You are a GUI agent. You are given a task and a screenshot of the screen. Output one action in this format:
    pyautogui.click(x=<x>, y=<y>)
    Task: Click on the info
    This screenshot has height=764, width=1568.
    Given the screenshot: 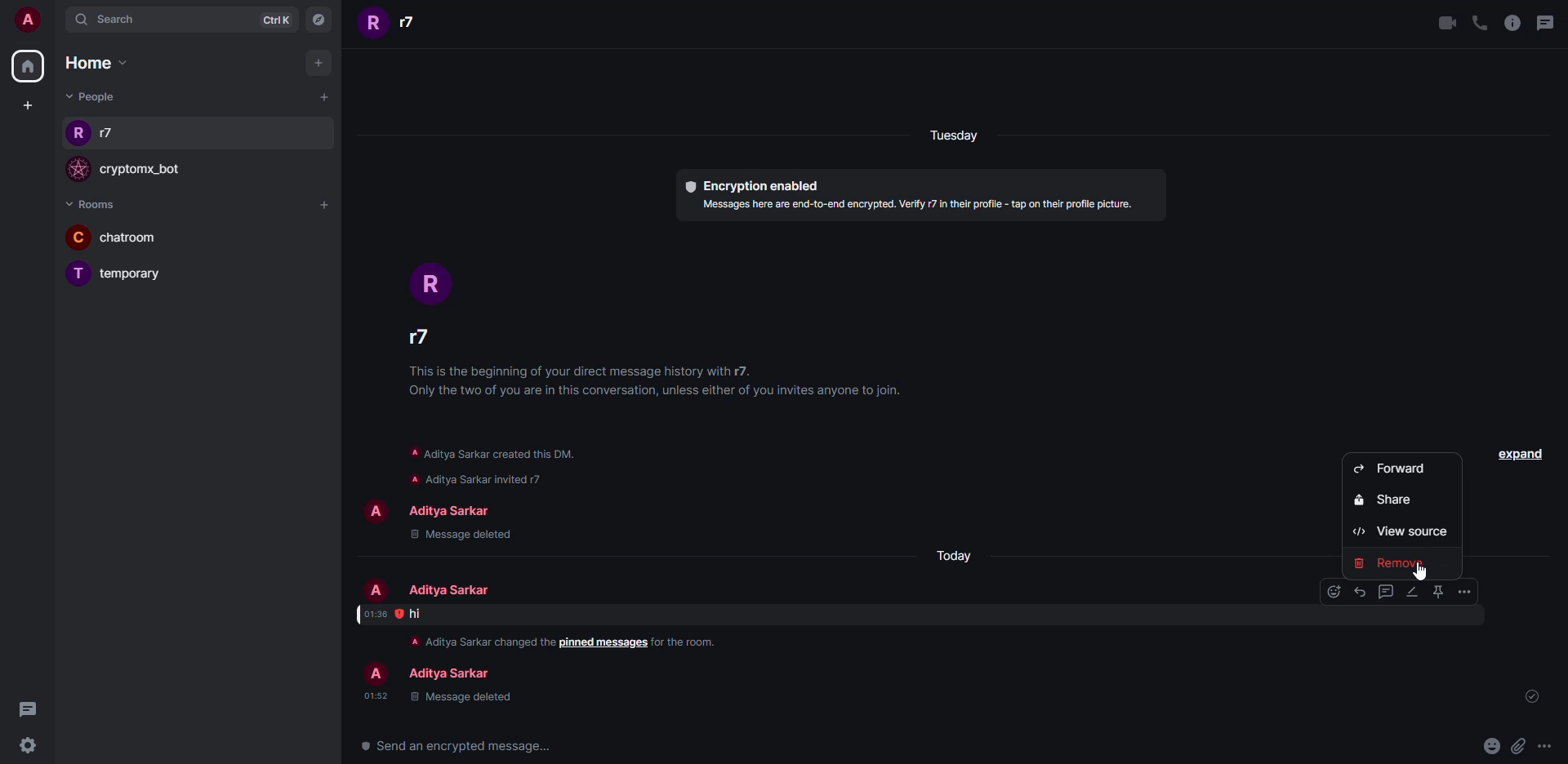 What is the action you would take?
    pyautogui.click(x=492, y=465)
    